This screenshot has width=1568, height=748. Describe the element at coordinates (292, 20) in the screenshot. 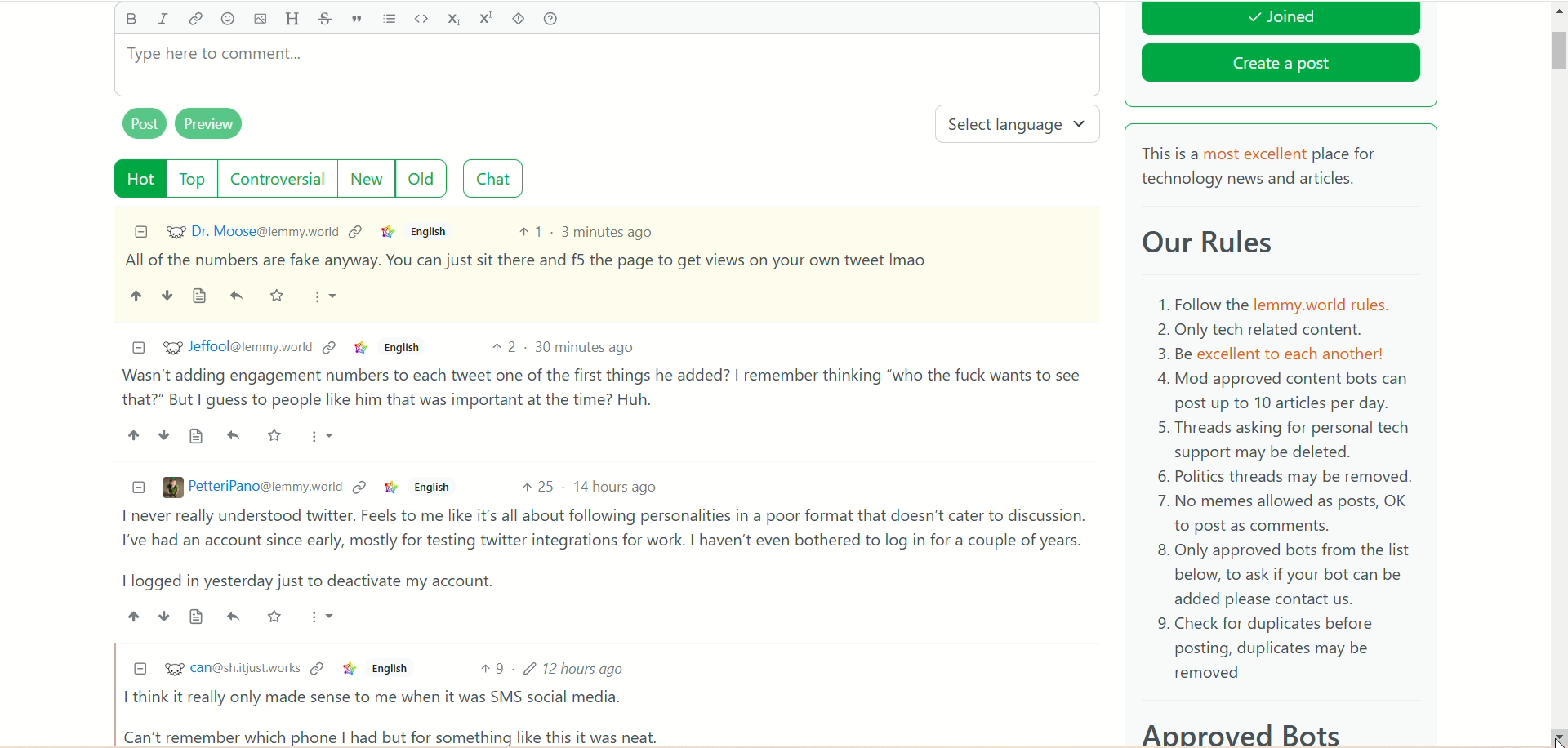

I see `header` at that location.